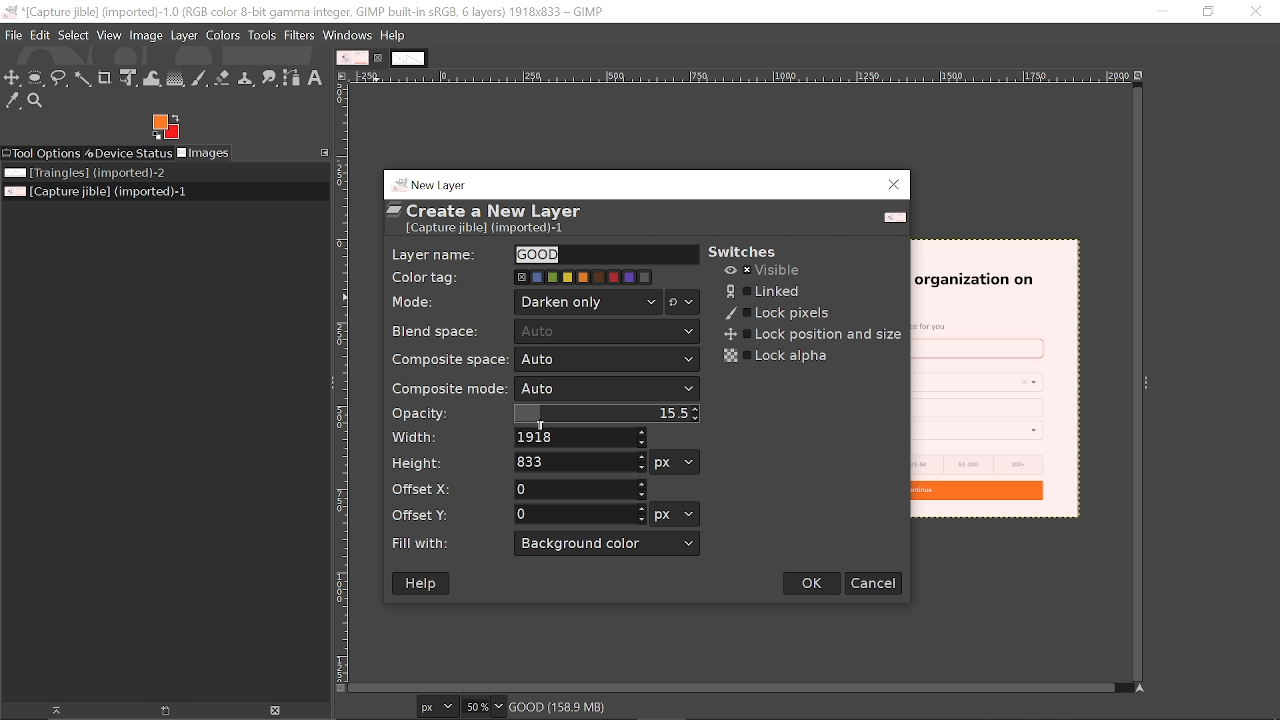 The width and height of the screenshot is (1280, 720). What do you see at coordinates (445, 388) in the screenshot?
I see `Composite mode:` at bounding box center [445, 388].